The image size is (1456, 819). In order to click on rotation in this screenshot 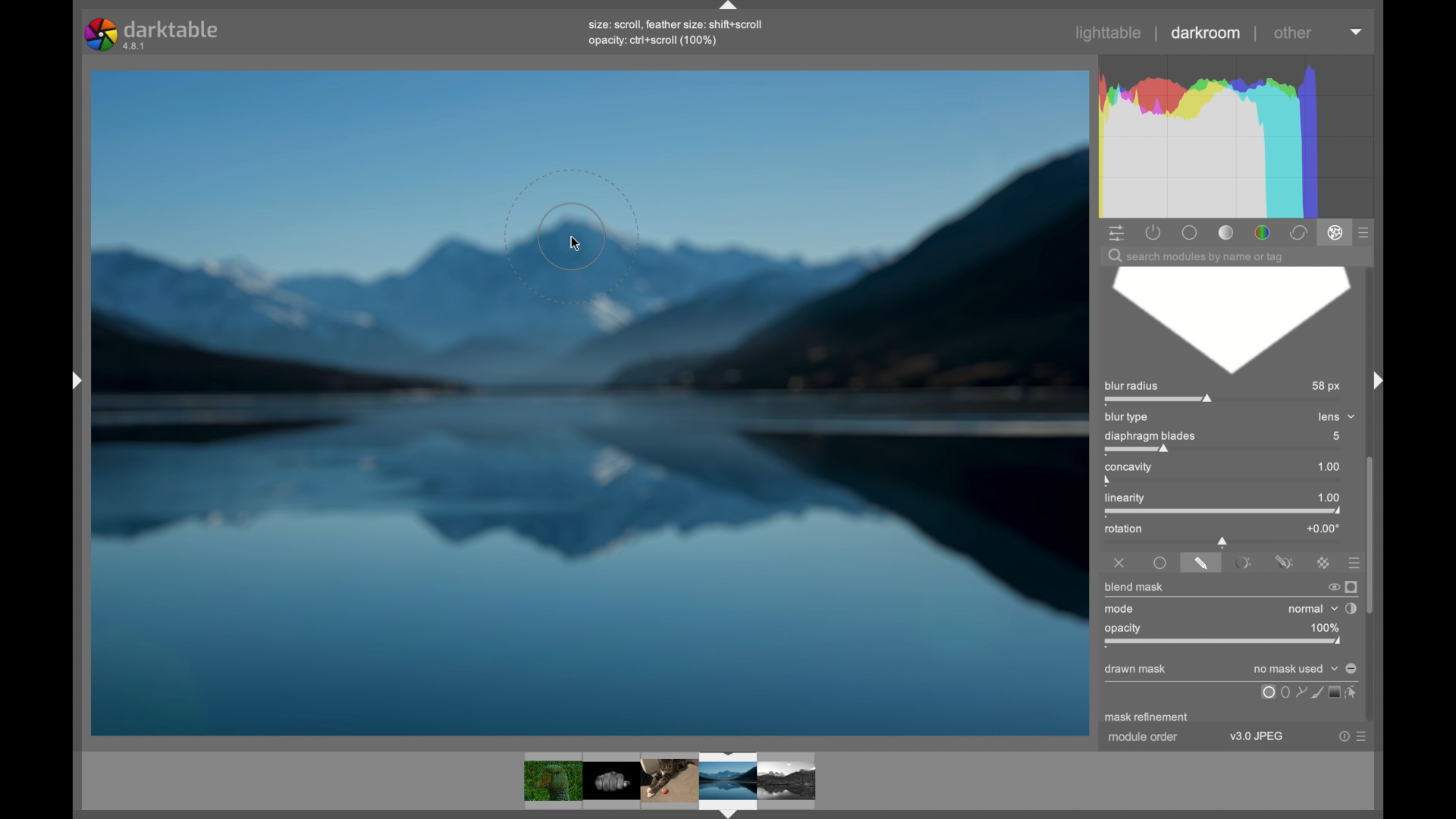, I will do `click(1124, 529)`.